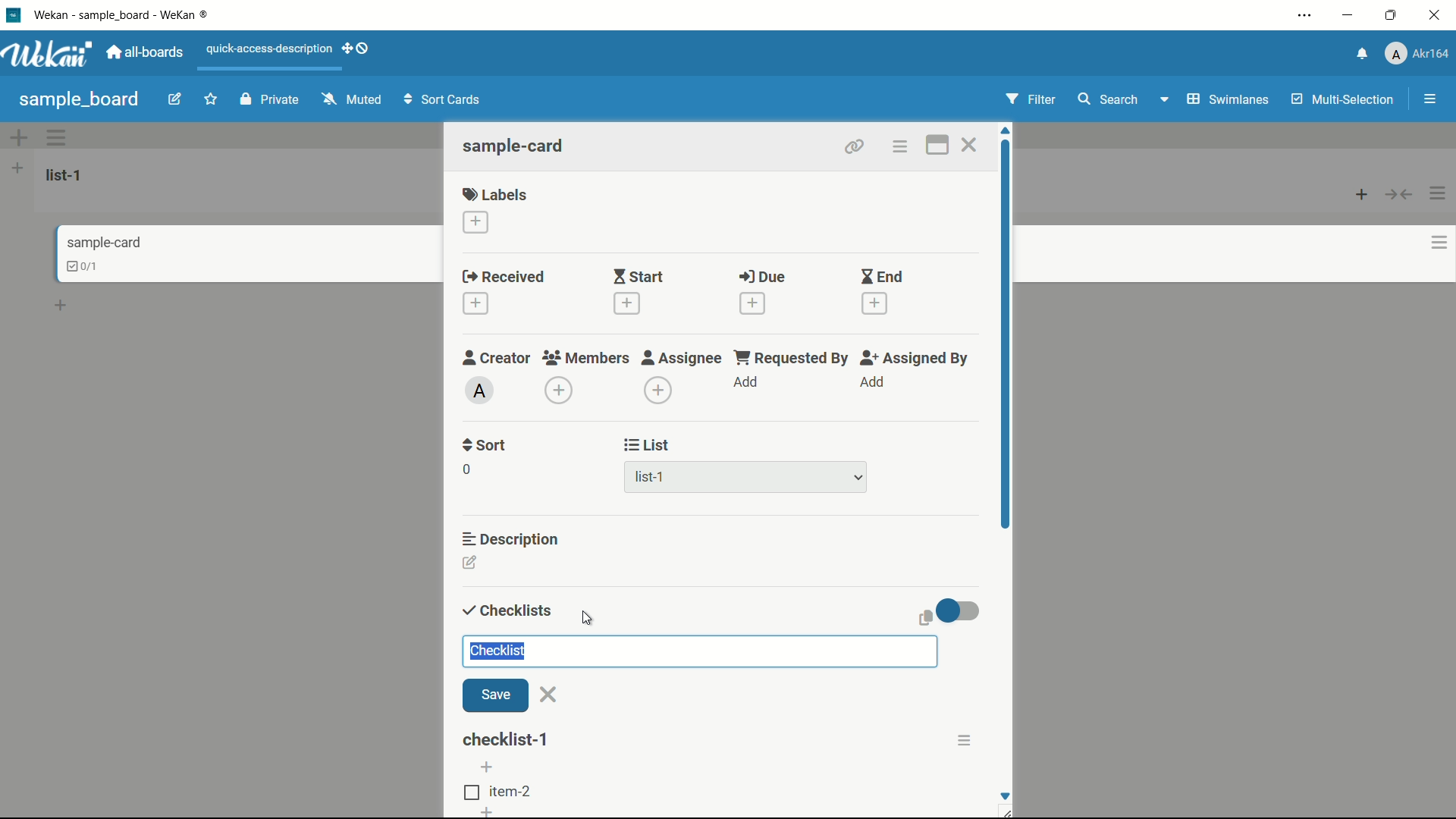 The image size is (1456, 819). I want to click on app icon, so click(13, 14).